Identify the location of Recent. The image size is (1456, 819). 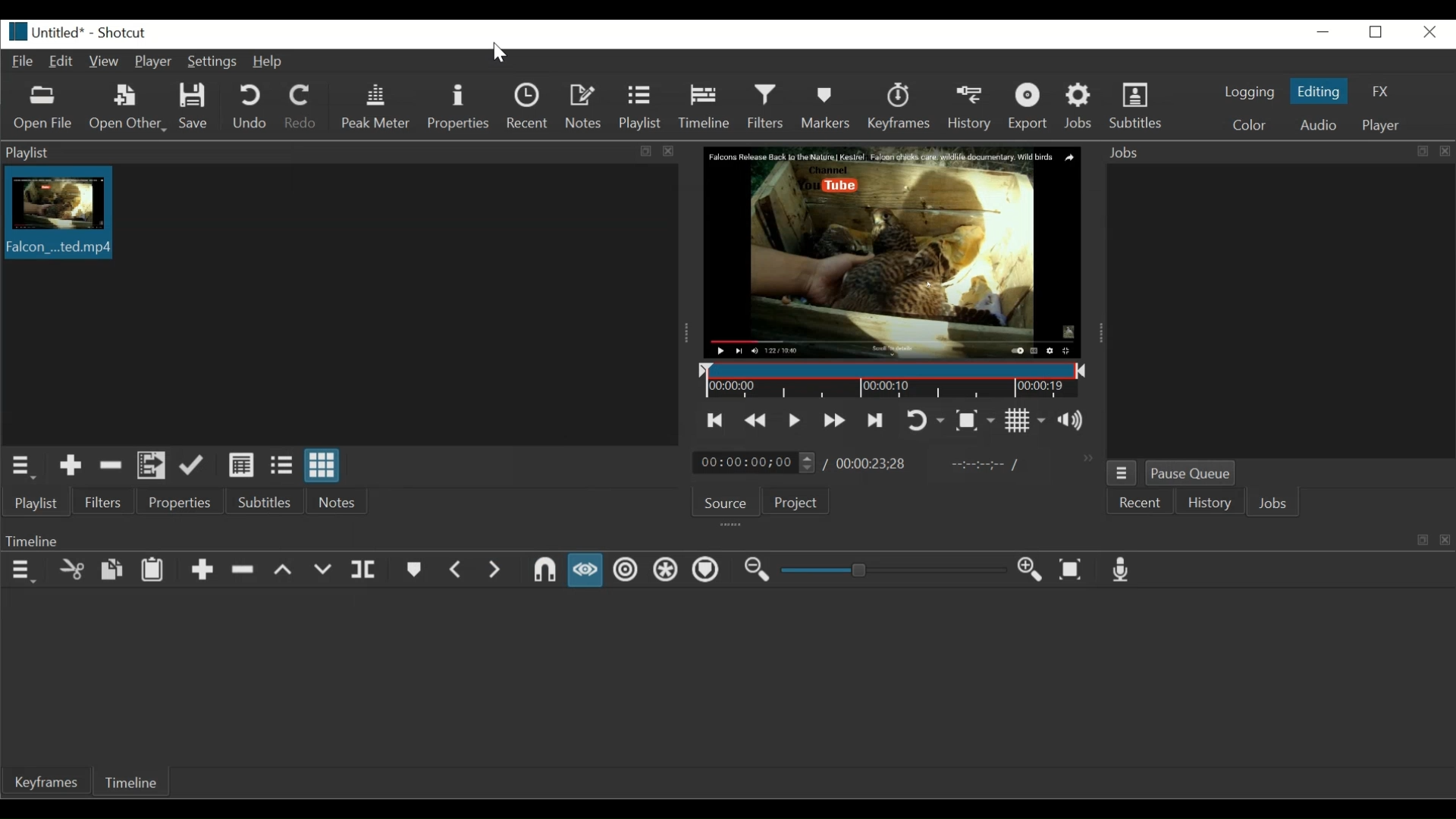
(531, 107).